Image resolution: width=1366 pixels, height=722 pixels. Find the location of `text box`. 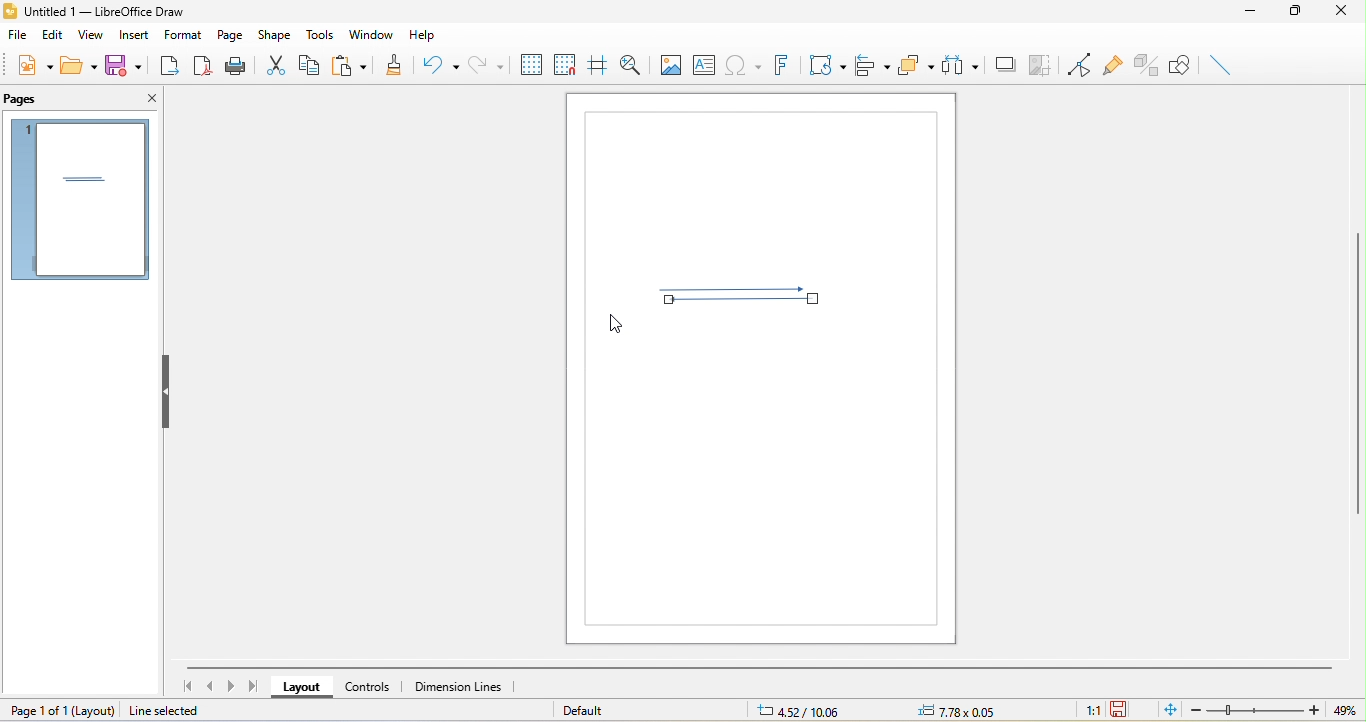

text box is located at coordinates (704, 64).